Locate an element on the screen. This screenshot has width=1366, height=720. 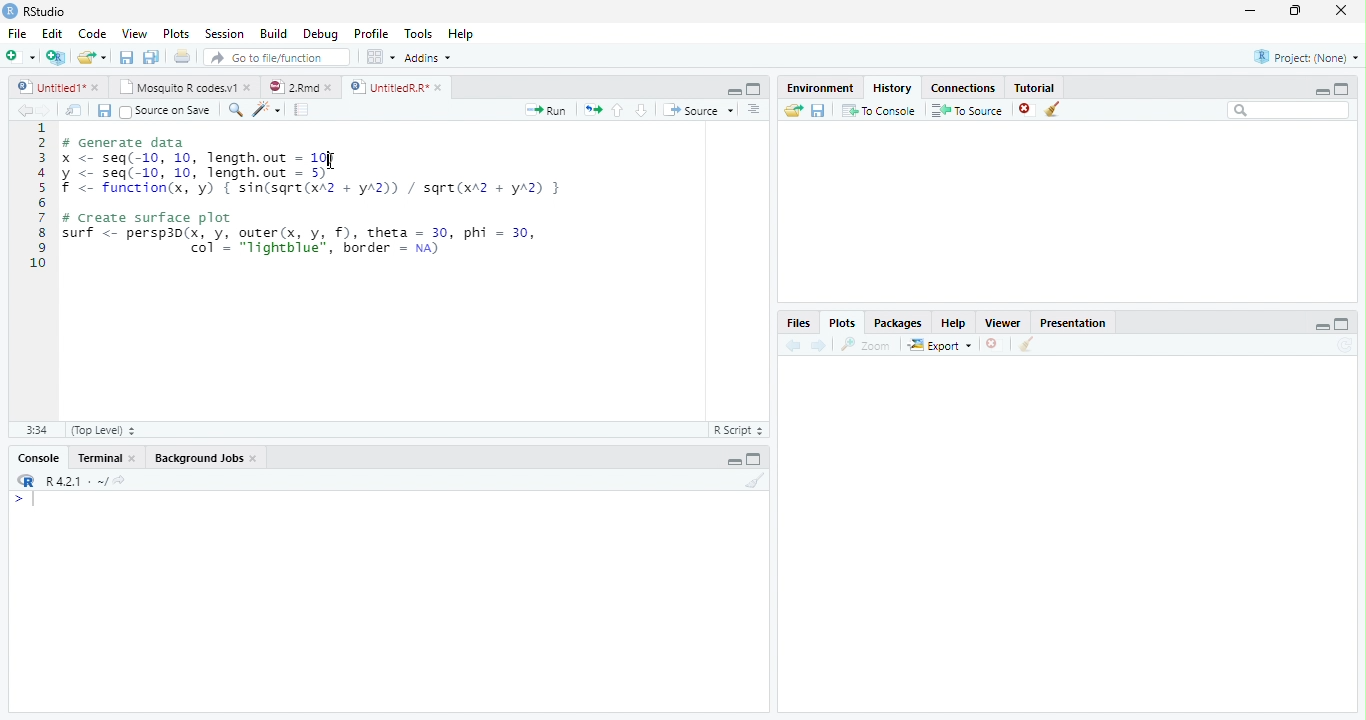
Save current document is located at coordinates (103, 110).